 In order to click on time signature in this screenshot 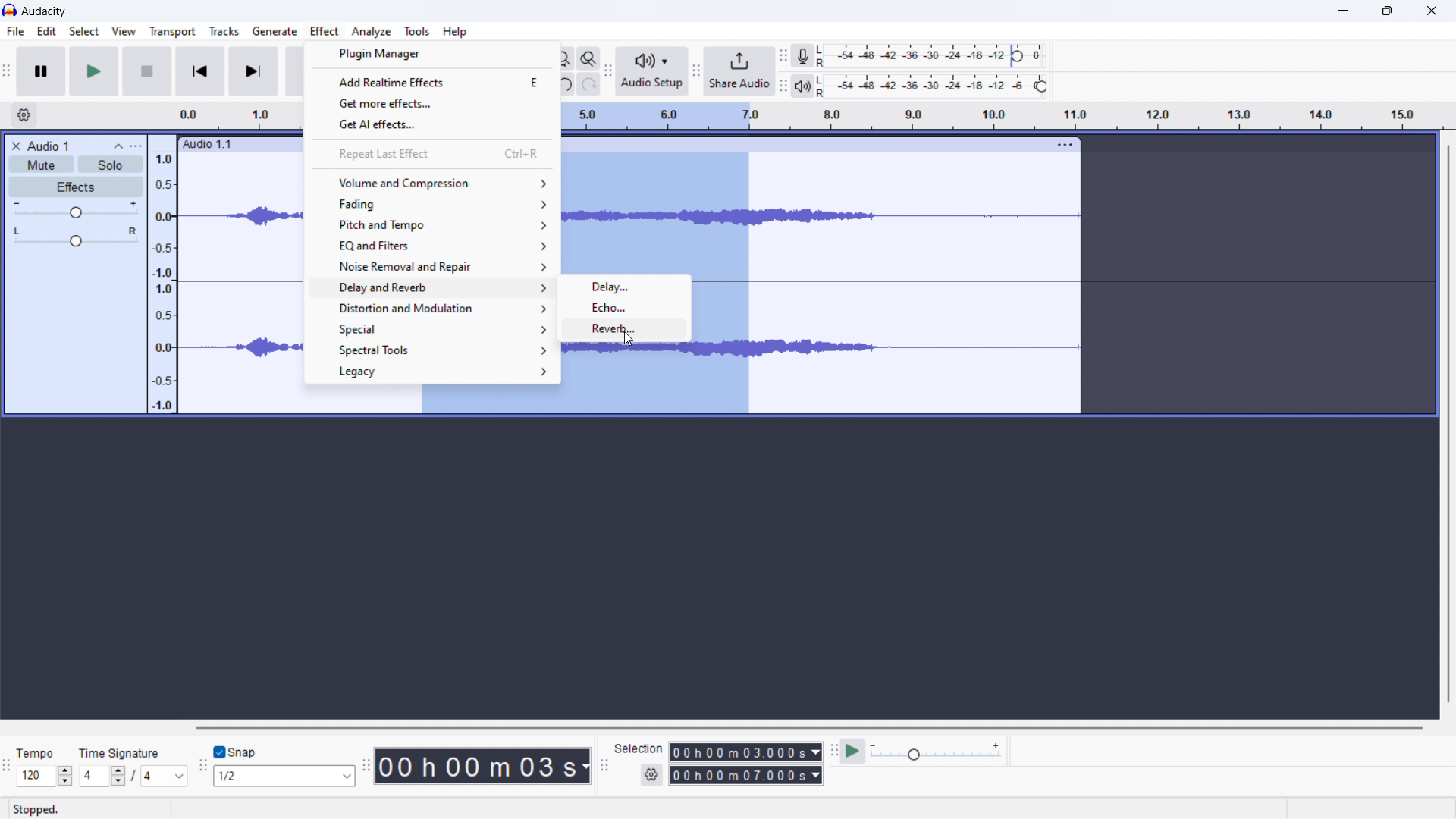, I will do `click(807, 112)`.